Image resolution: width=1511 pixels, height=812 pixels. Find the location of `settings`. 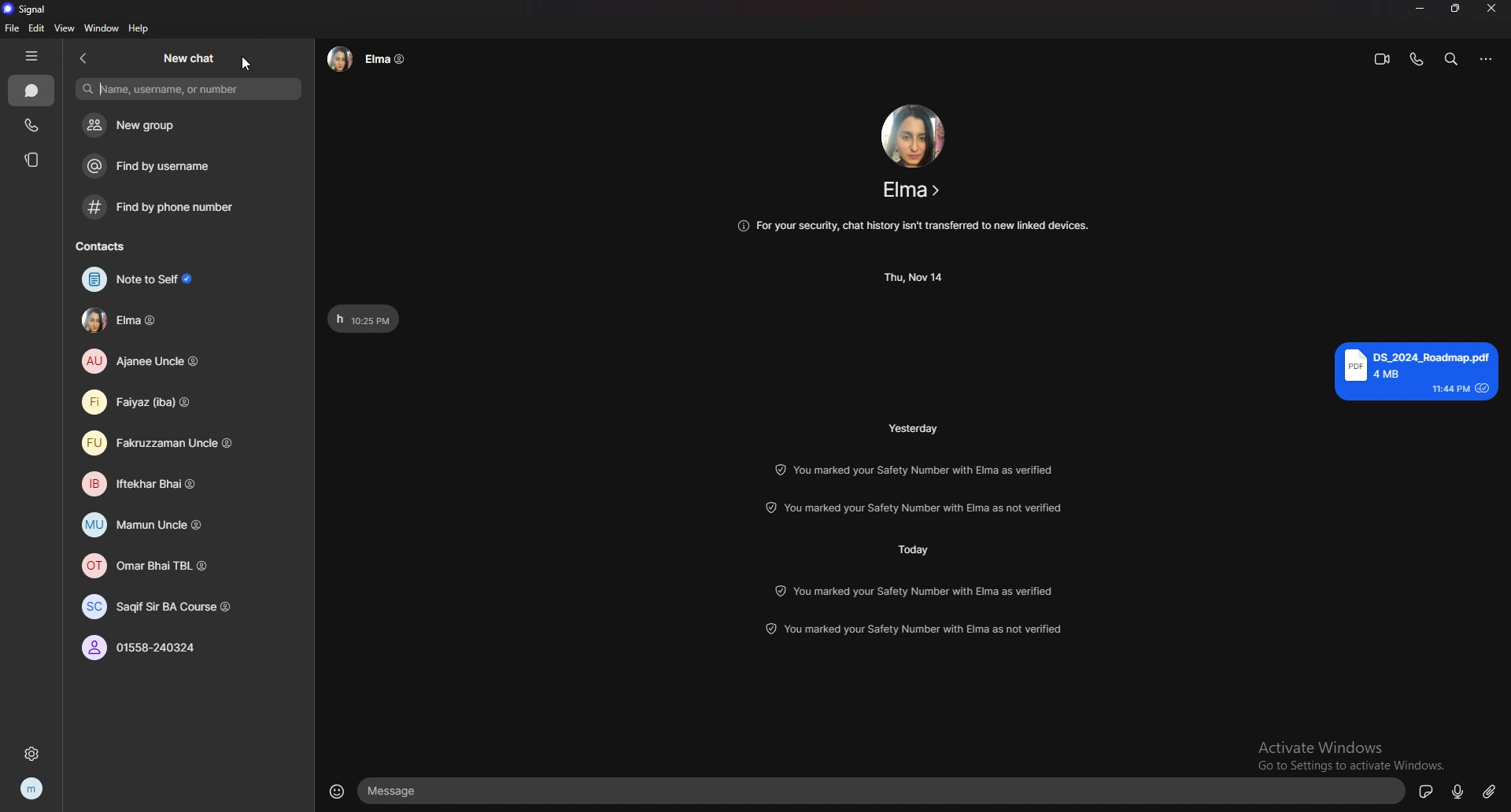

settings is located at coordinates (31, 753).